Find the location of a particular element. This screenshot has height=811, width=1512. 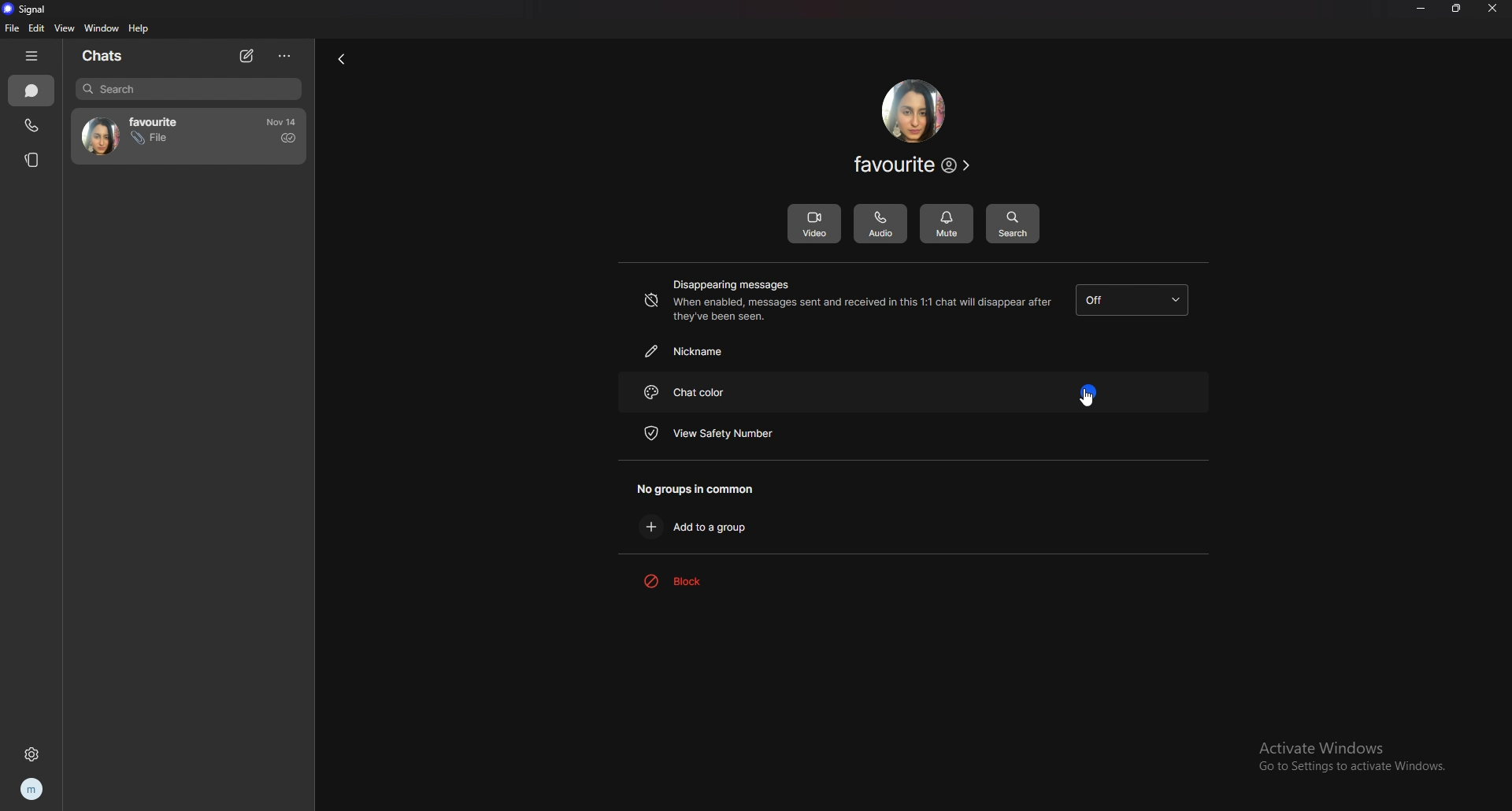

video call is located at coordinates (816, 223).